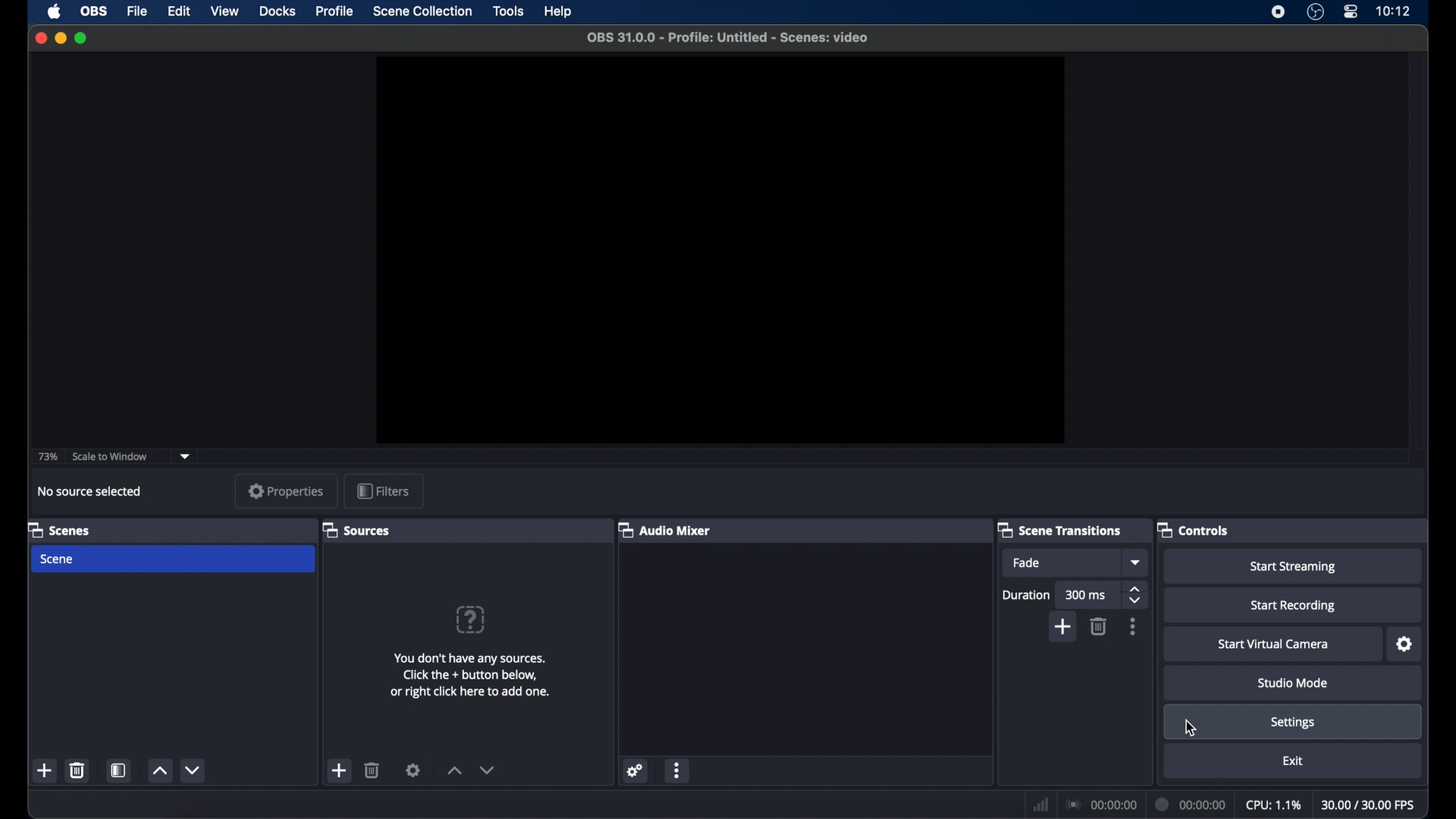  Describe the element at coordinates (1134, 626) in the screenshot. I see `more options` at that location.